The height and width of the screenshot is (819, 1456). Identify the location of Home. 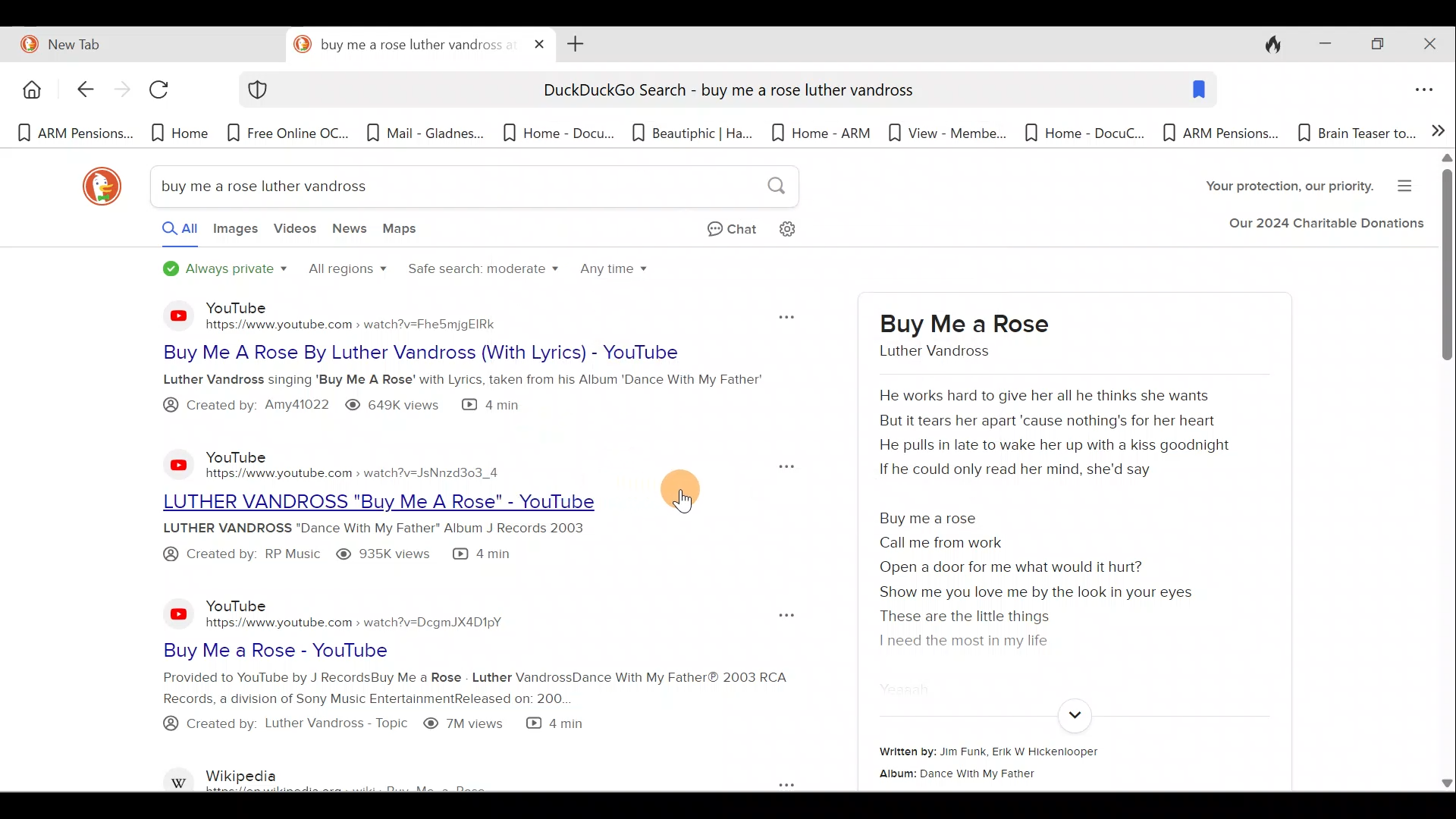
(30, 89).